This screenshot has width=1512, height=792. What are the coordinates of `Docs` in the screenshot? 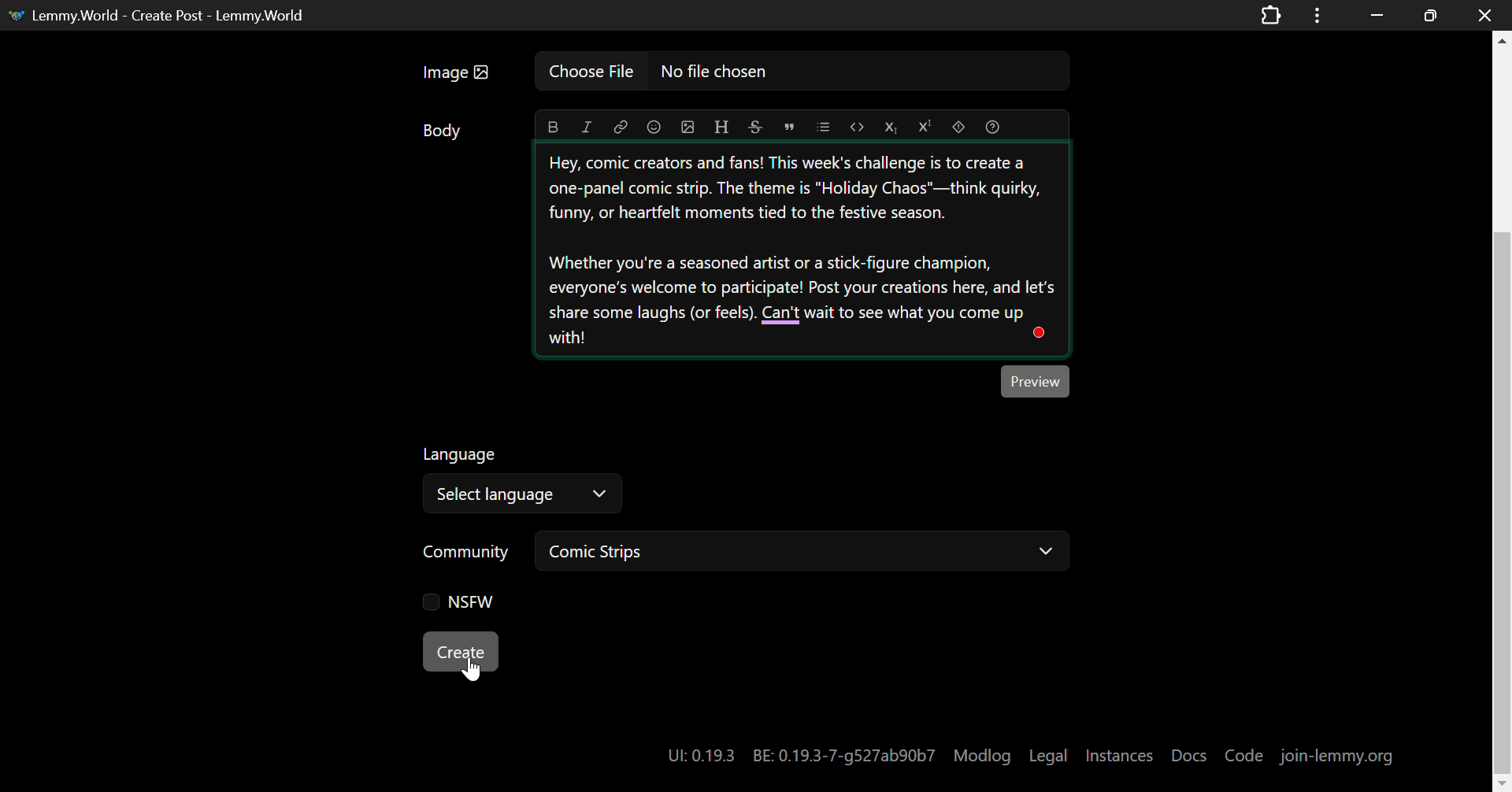 It's located at (1191, 755).